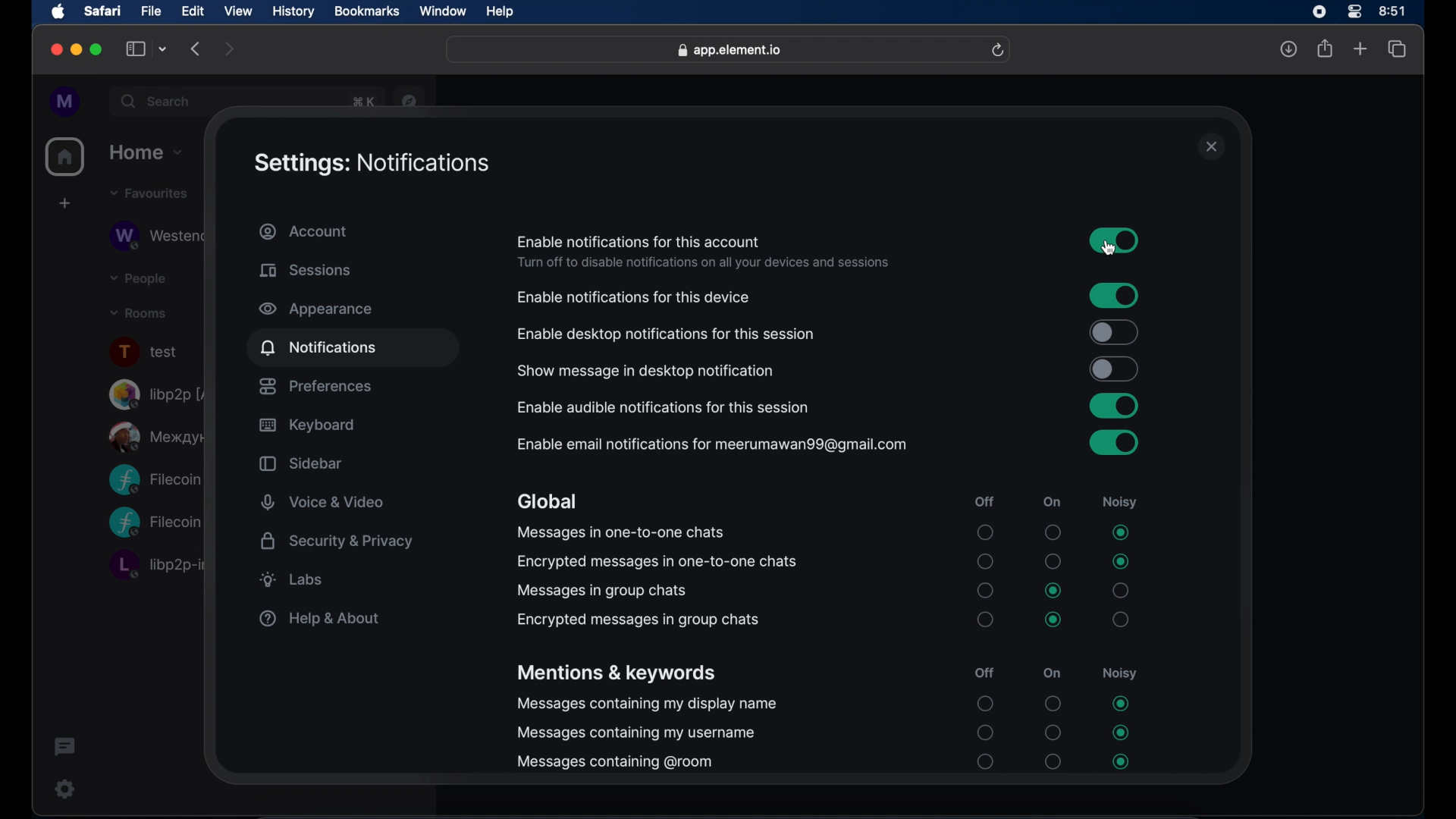 The width and height of the screenshot is (1456, 819). What do you see at coordinates (645, 372) in the screenshot?
I see `show message in desktop notification` at bounding box center [645, 372].